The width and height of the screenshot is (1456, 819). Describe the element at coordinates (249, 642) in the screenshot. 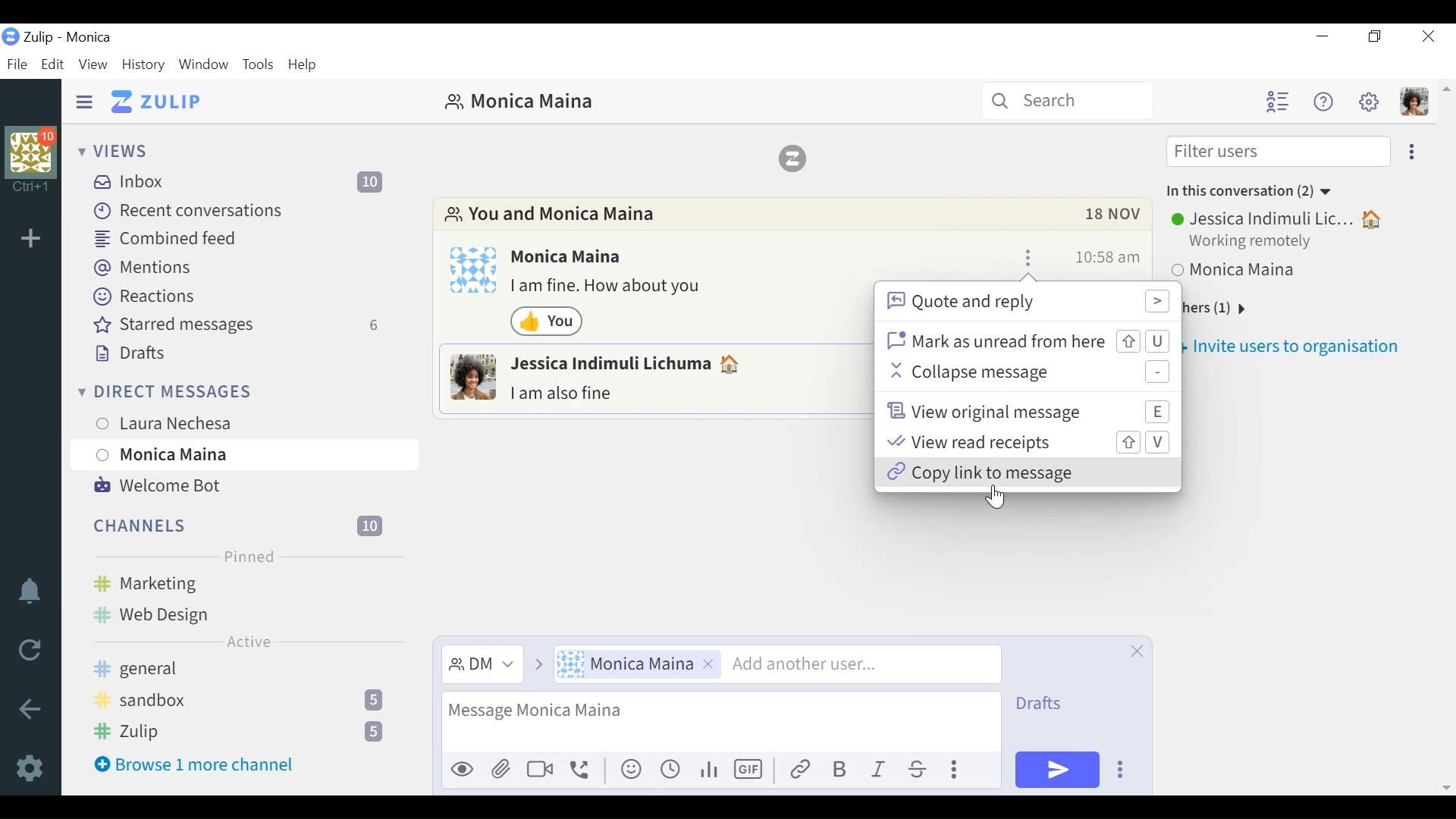

I see `Active` at that location.